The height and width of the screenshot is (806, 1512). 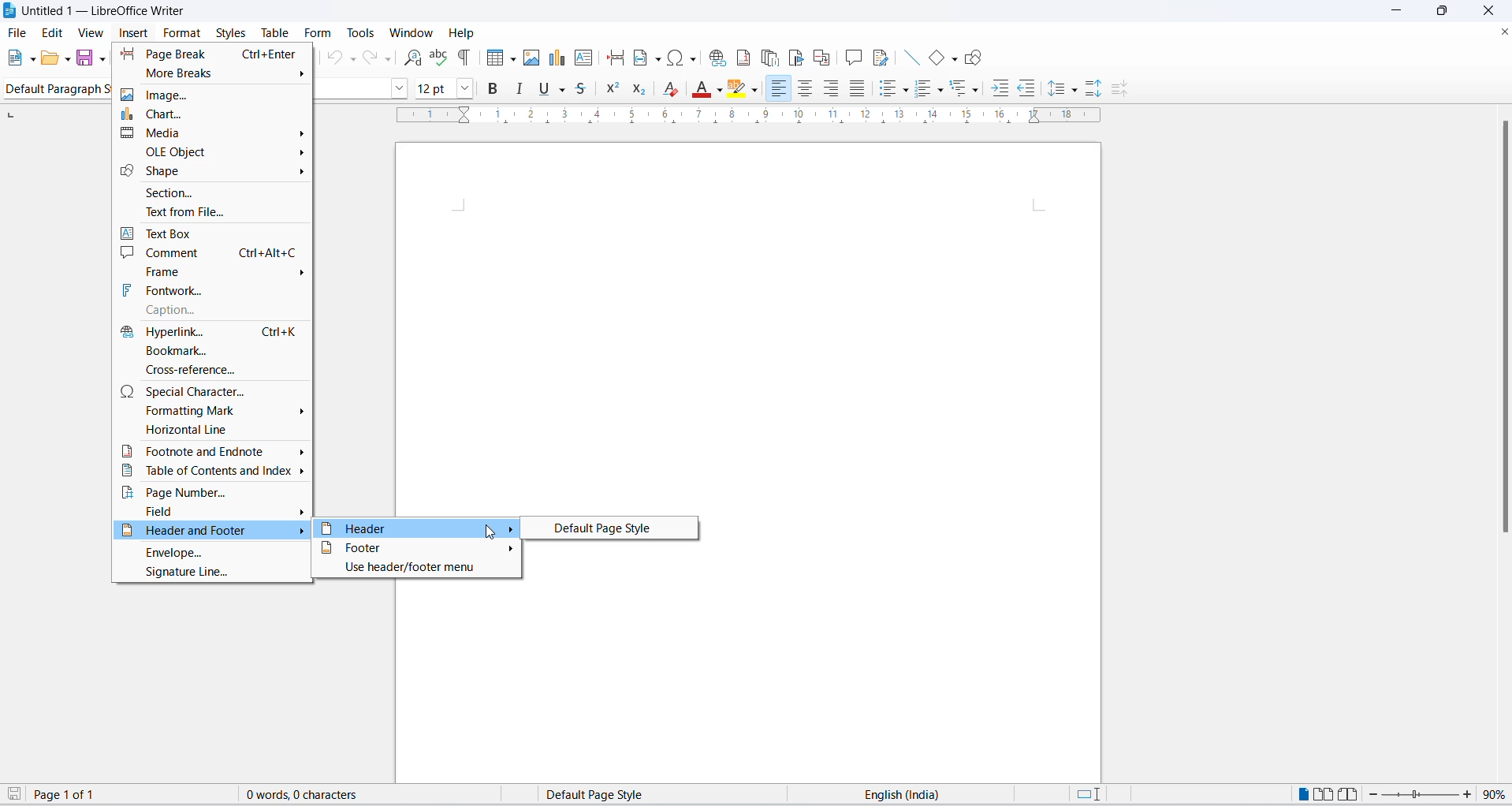 What do you see at coordinates (1000, 90) in the screenshot?
I see `increase indent` at bounding box center [1000, 90].